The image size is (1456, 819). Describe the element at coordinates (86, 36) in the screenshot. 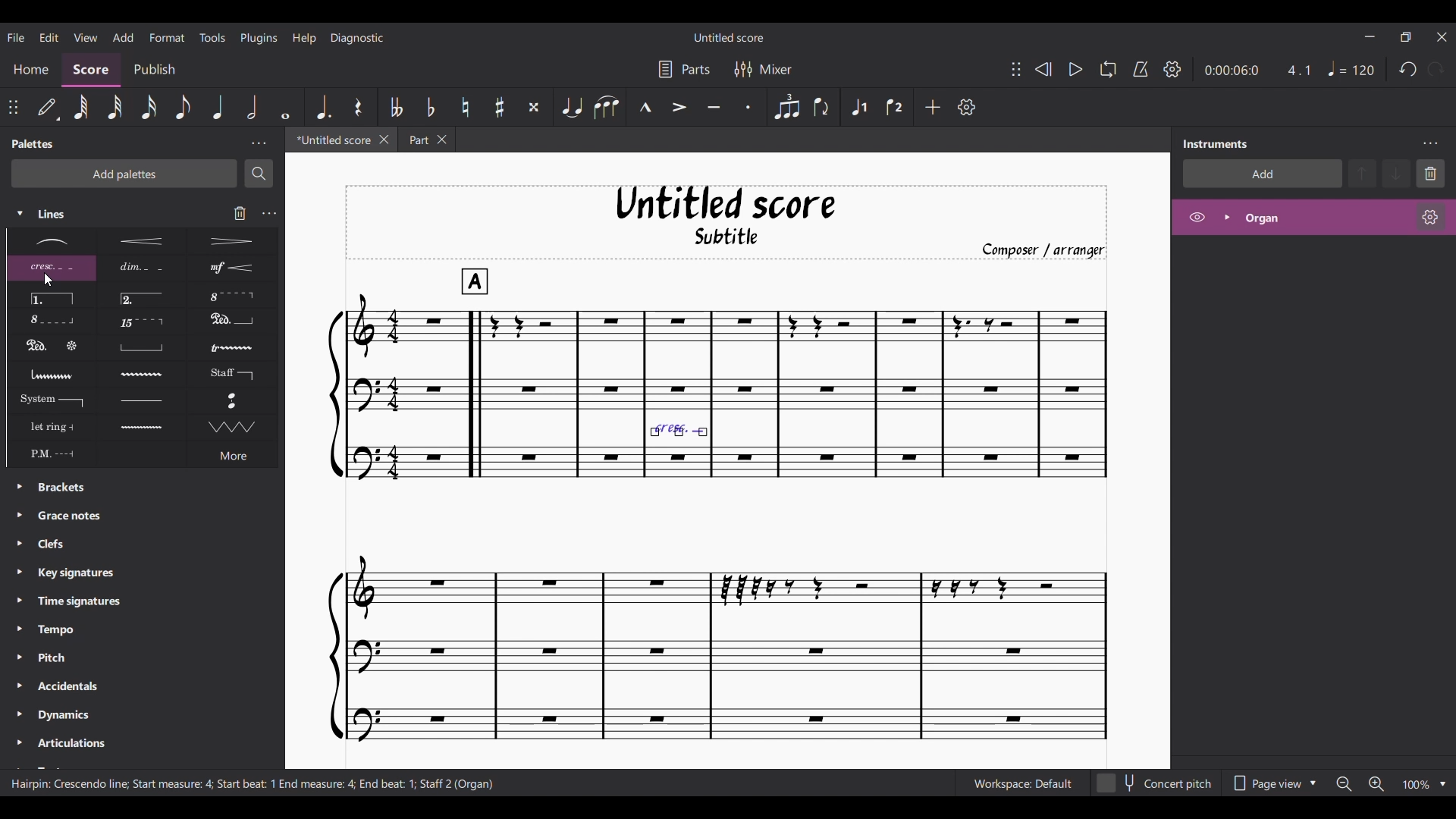

I see `View menu` at that location.